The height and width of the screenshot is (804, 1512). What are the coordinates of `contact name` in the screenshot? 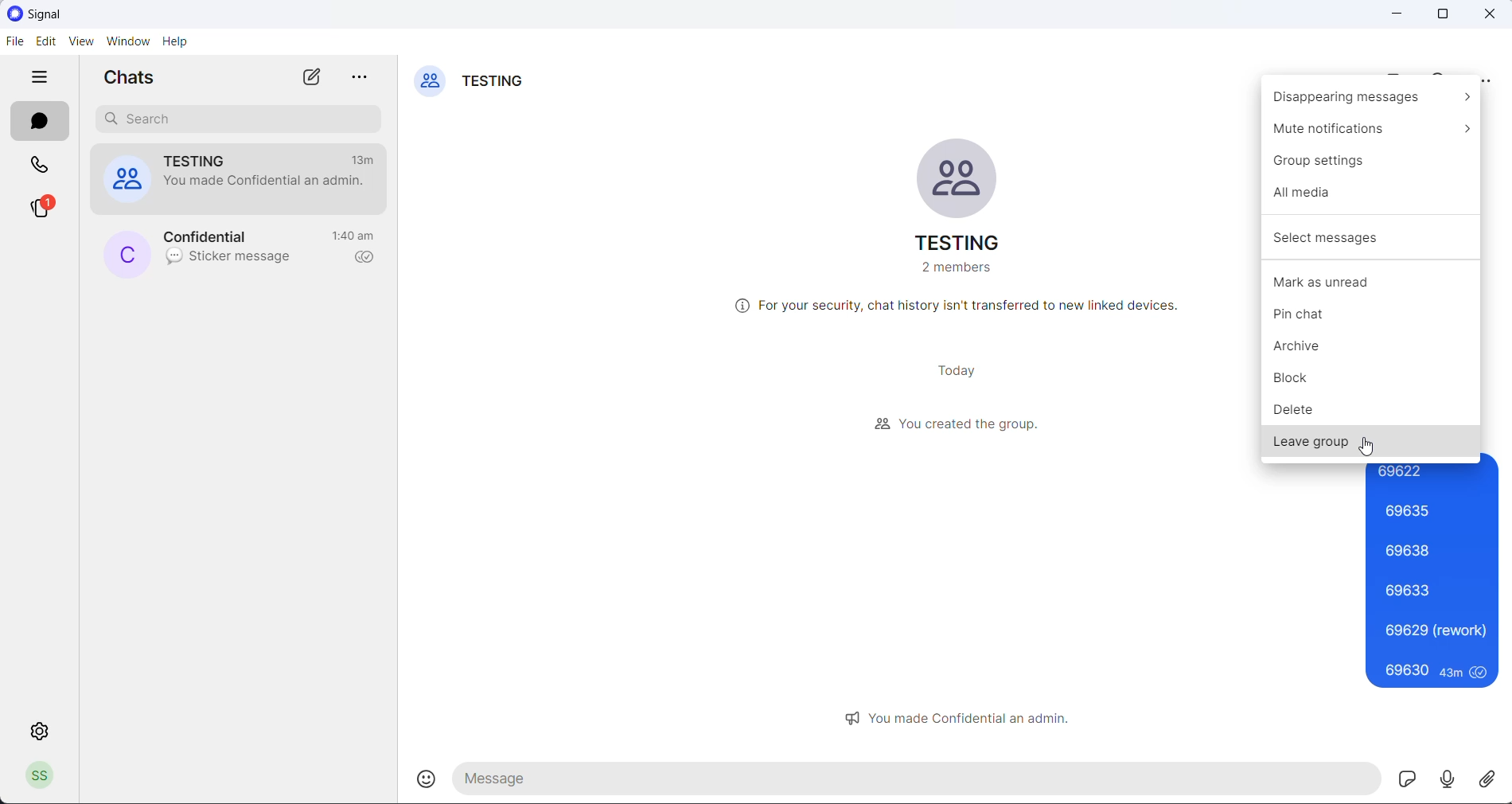 It's located at (217, 236).